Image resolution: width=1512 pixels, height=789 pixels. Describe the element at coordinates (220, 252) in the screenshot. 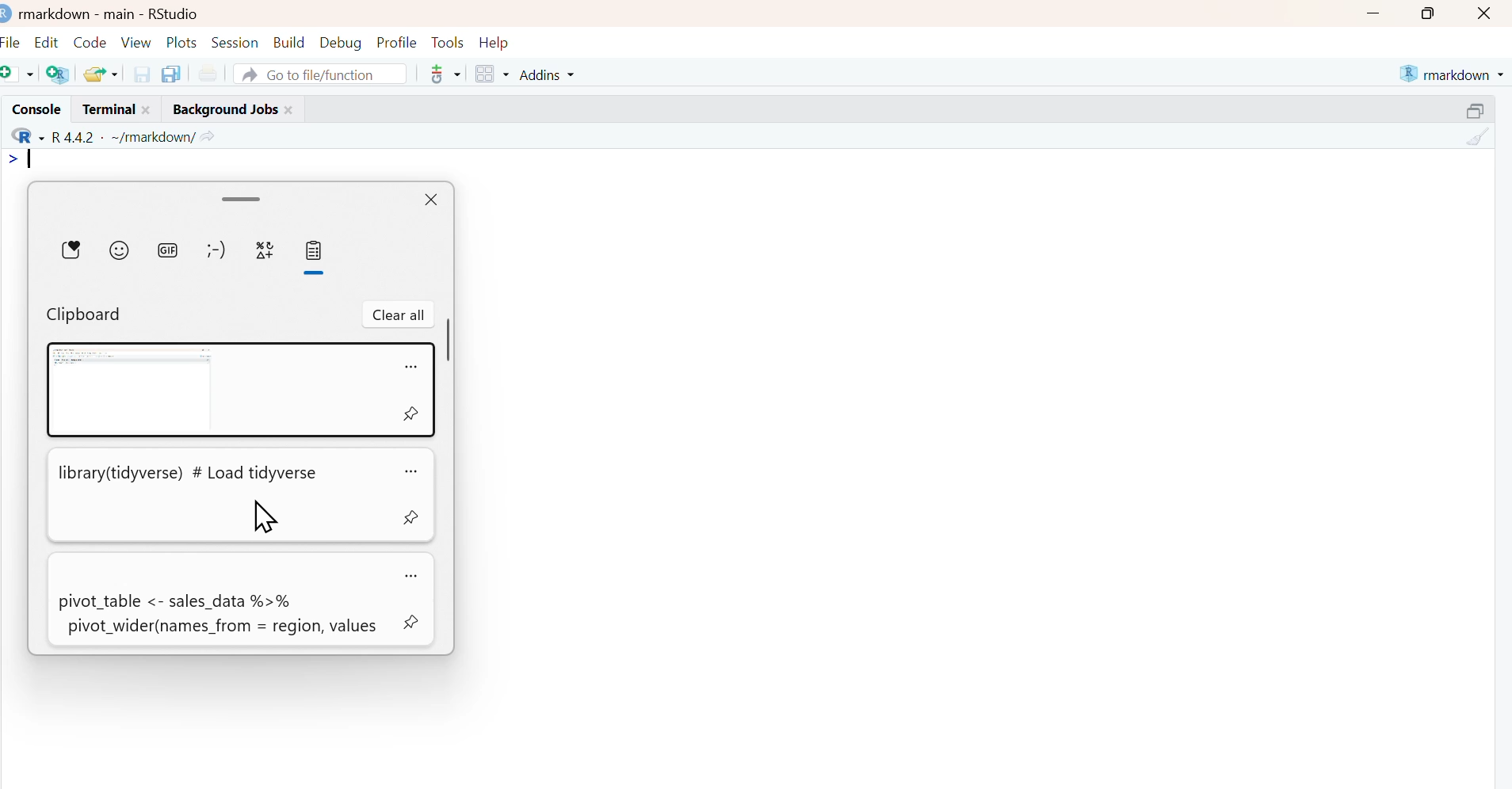

I see `emoticons` at that location.